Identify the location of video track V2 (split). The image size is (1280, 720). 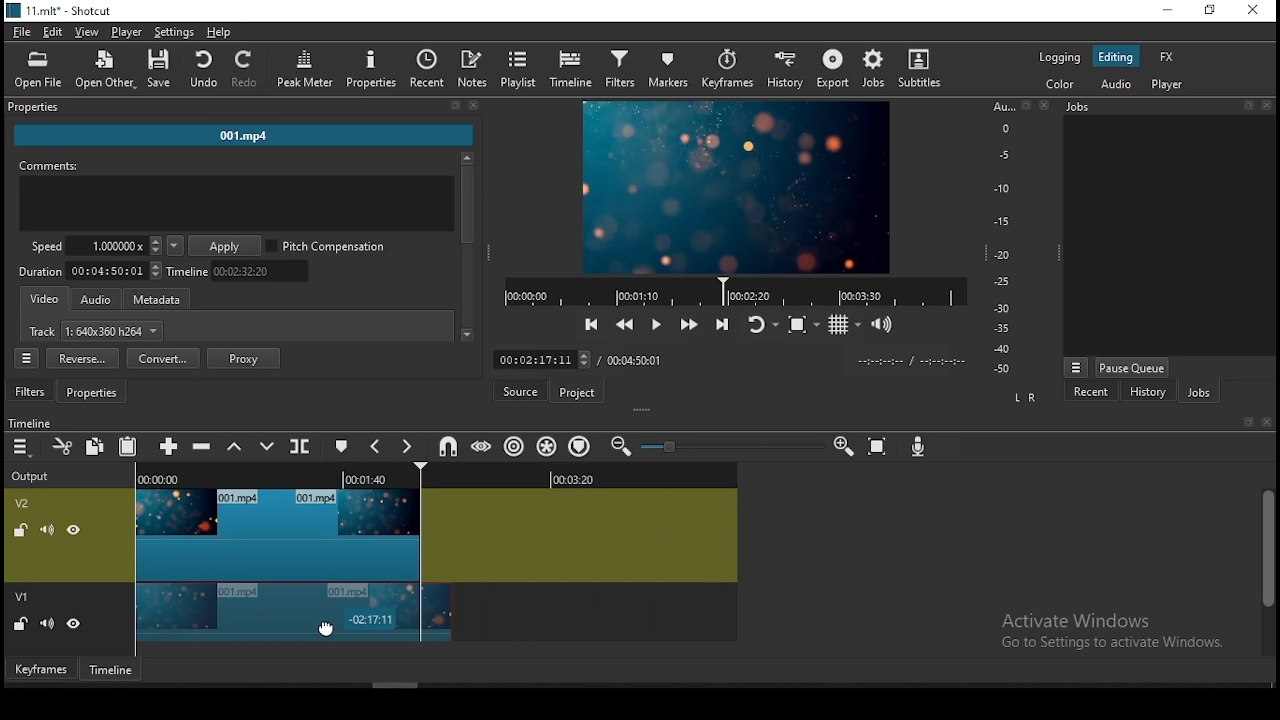
(292, 613).